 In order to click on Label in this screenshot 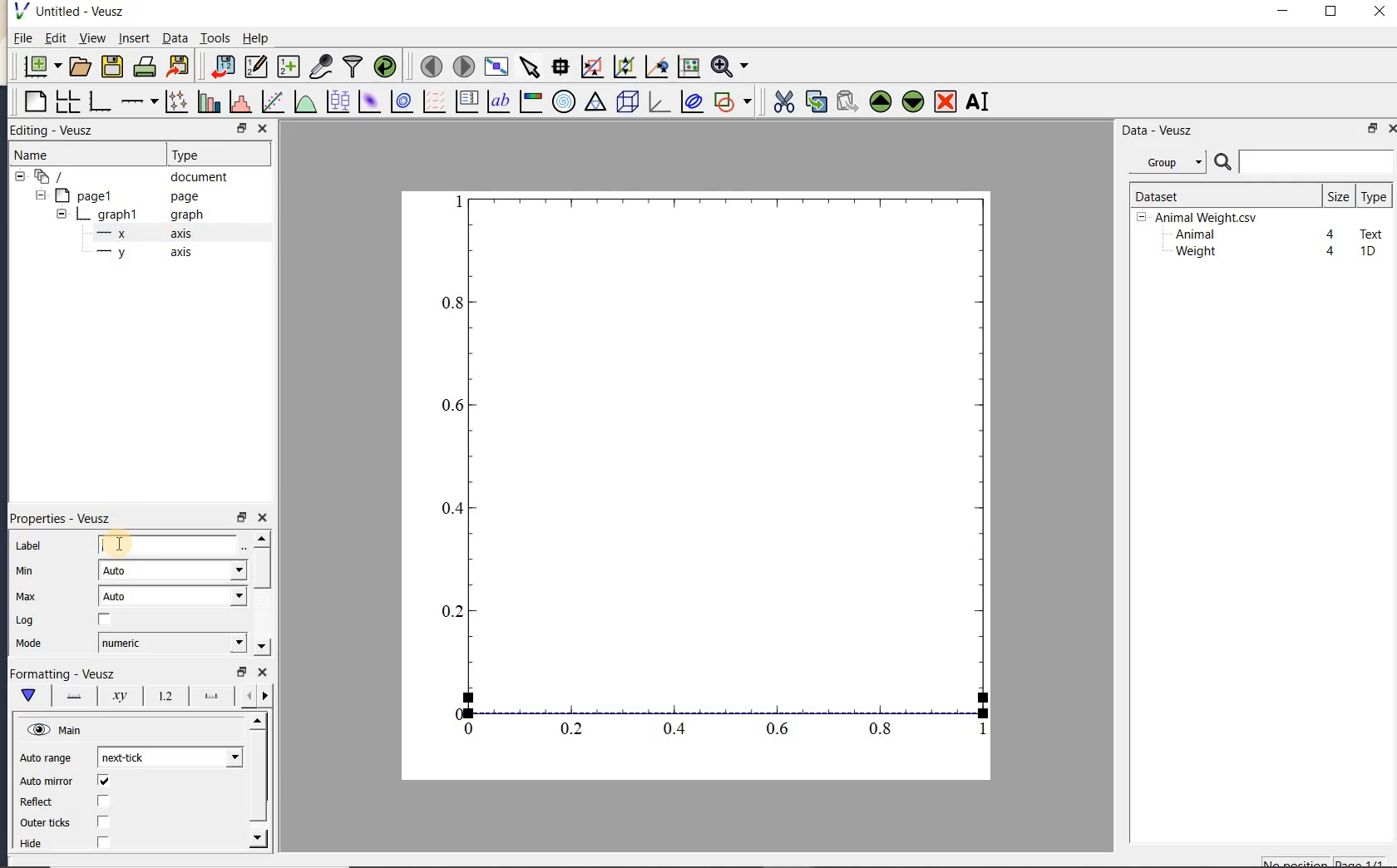, I will do `click(31, 546)`.